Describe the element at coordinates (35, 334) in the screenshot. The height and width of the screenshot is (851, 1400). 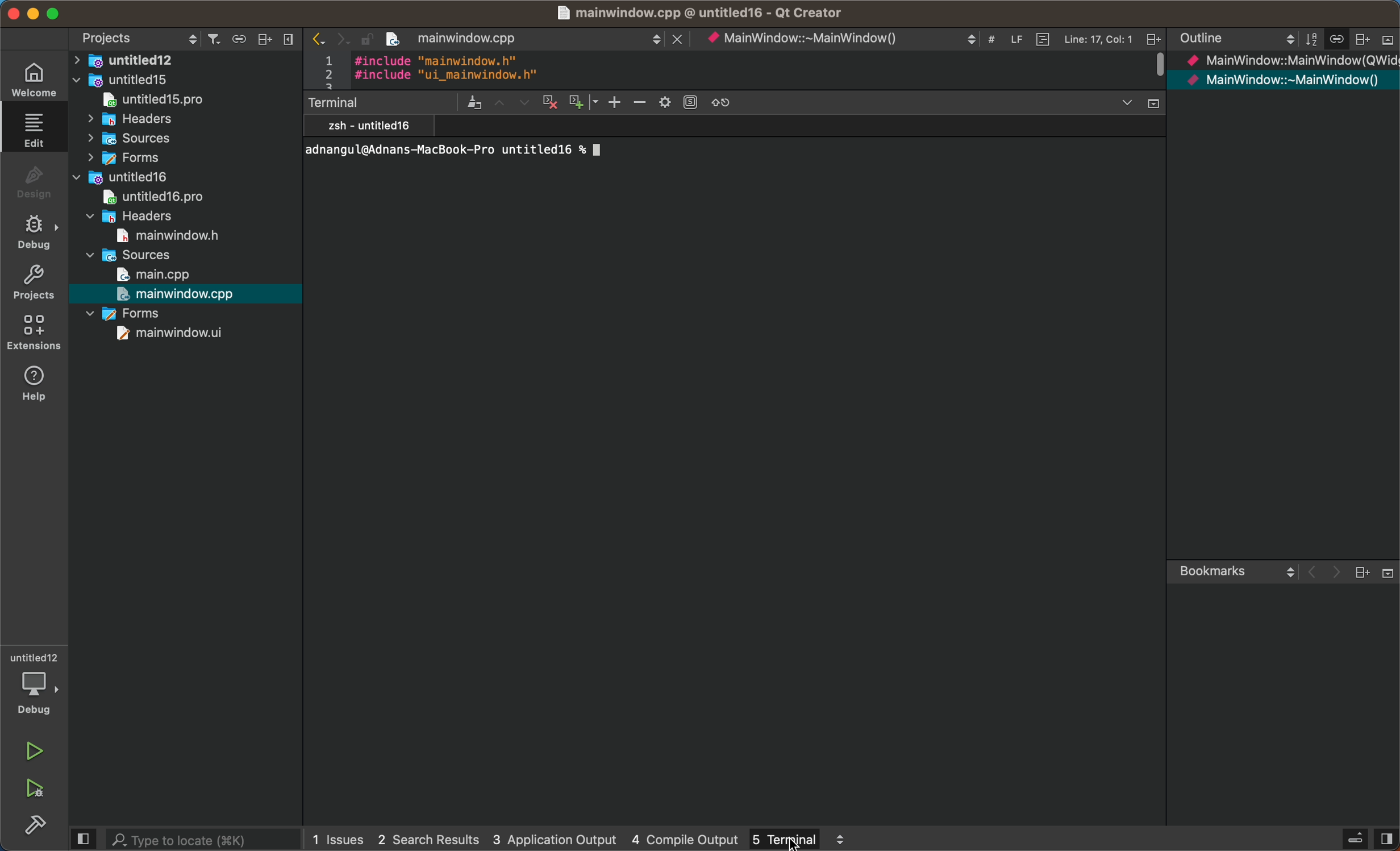
I see `extesions` at that location.